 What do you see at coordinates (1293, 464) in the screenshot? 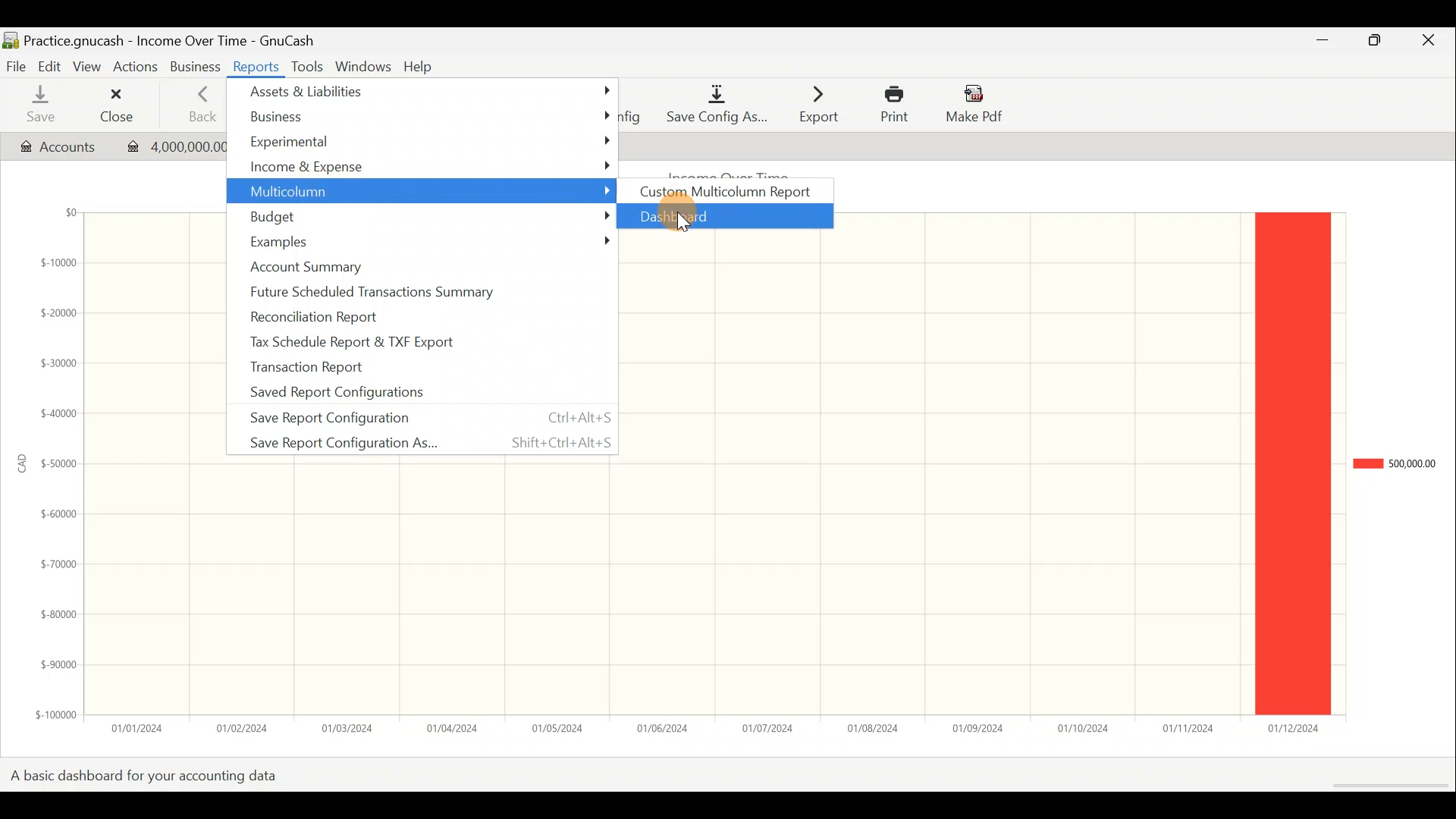
I see `legend` at bounding box center [1293, 464].